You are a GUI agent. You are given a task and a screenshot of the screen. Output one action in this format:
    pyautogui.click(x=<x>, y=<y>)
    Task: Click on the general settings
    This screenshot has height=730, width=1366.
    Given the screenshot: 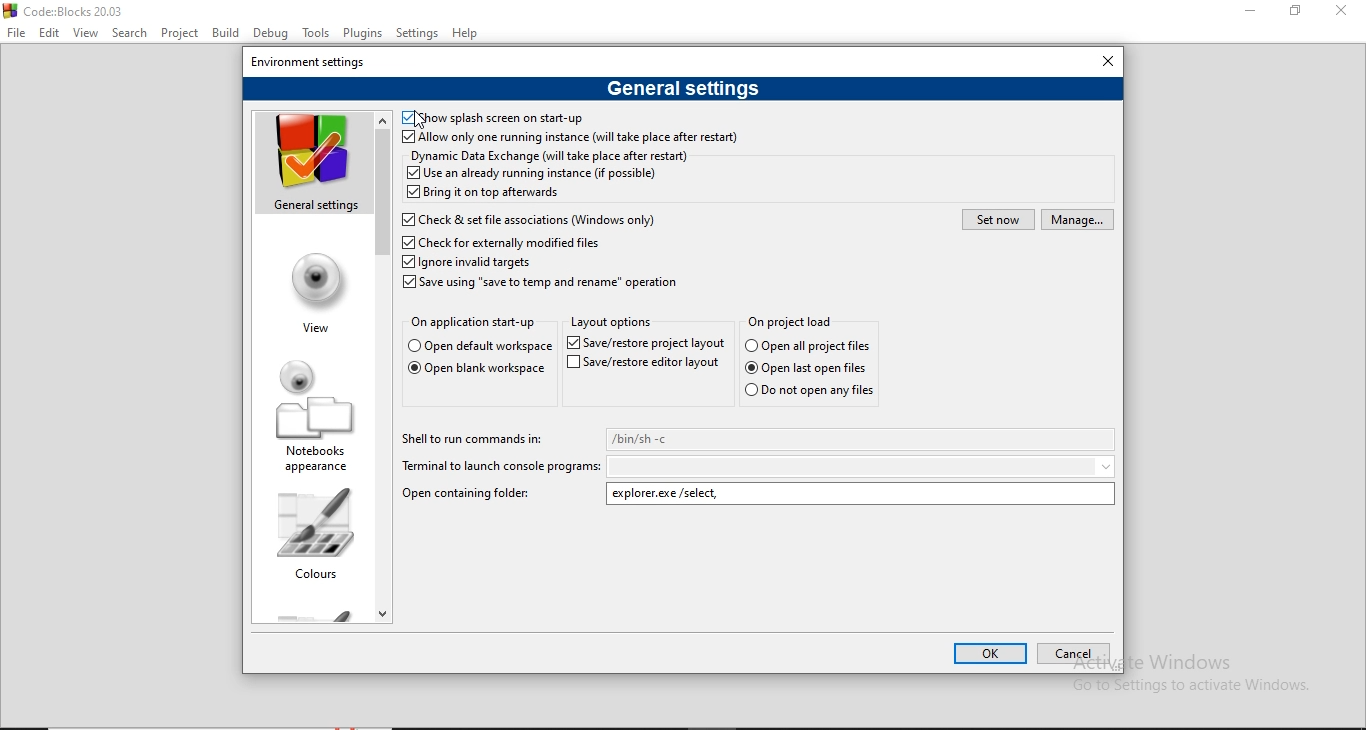 What is the action you would take?
    pyautogui.click(x=311, y=163)
    